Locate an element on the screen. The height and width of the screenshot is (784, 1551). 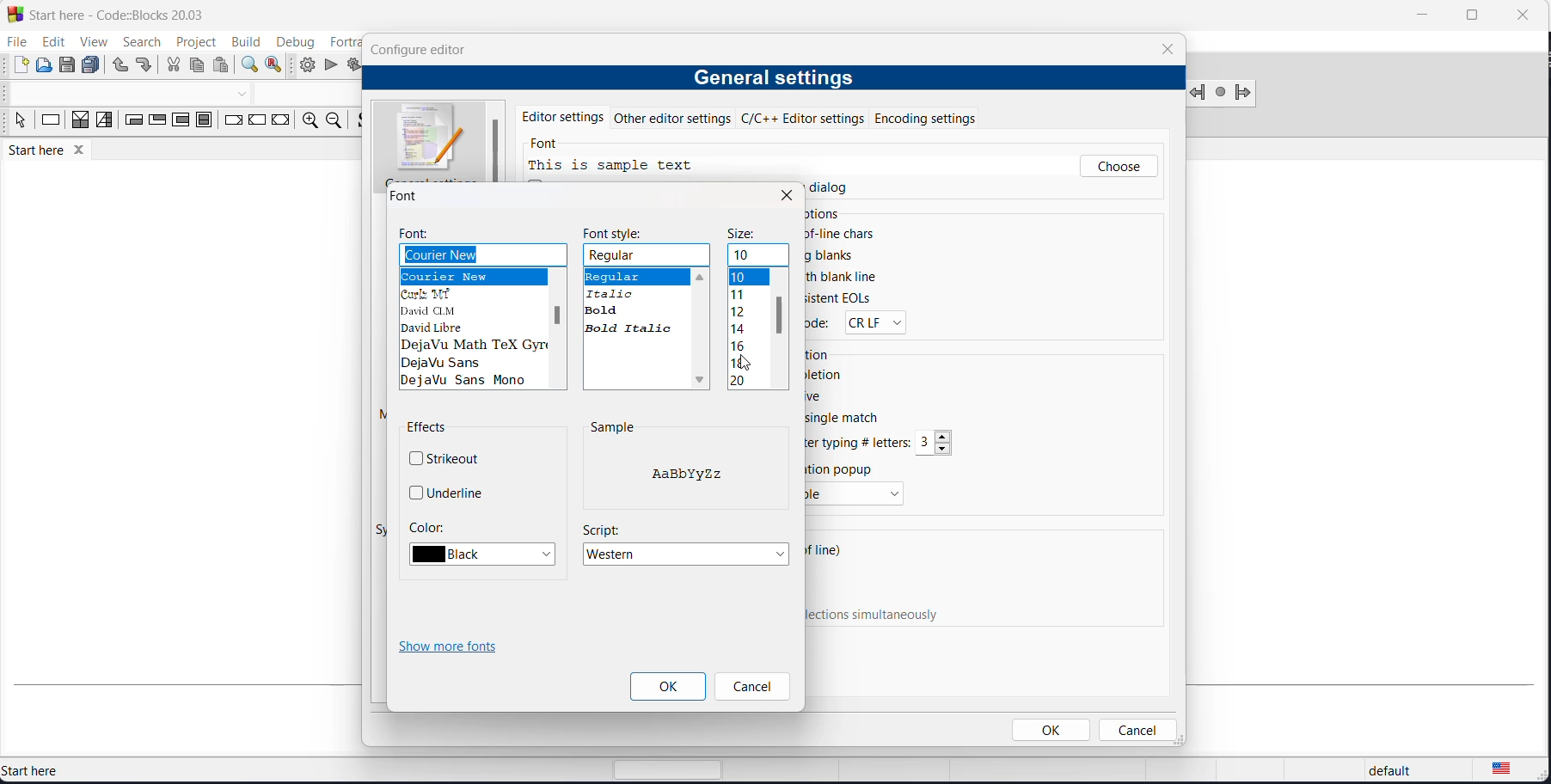
ok is located at coordinates (668, 687).